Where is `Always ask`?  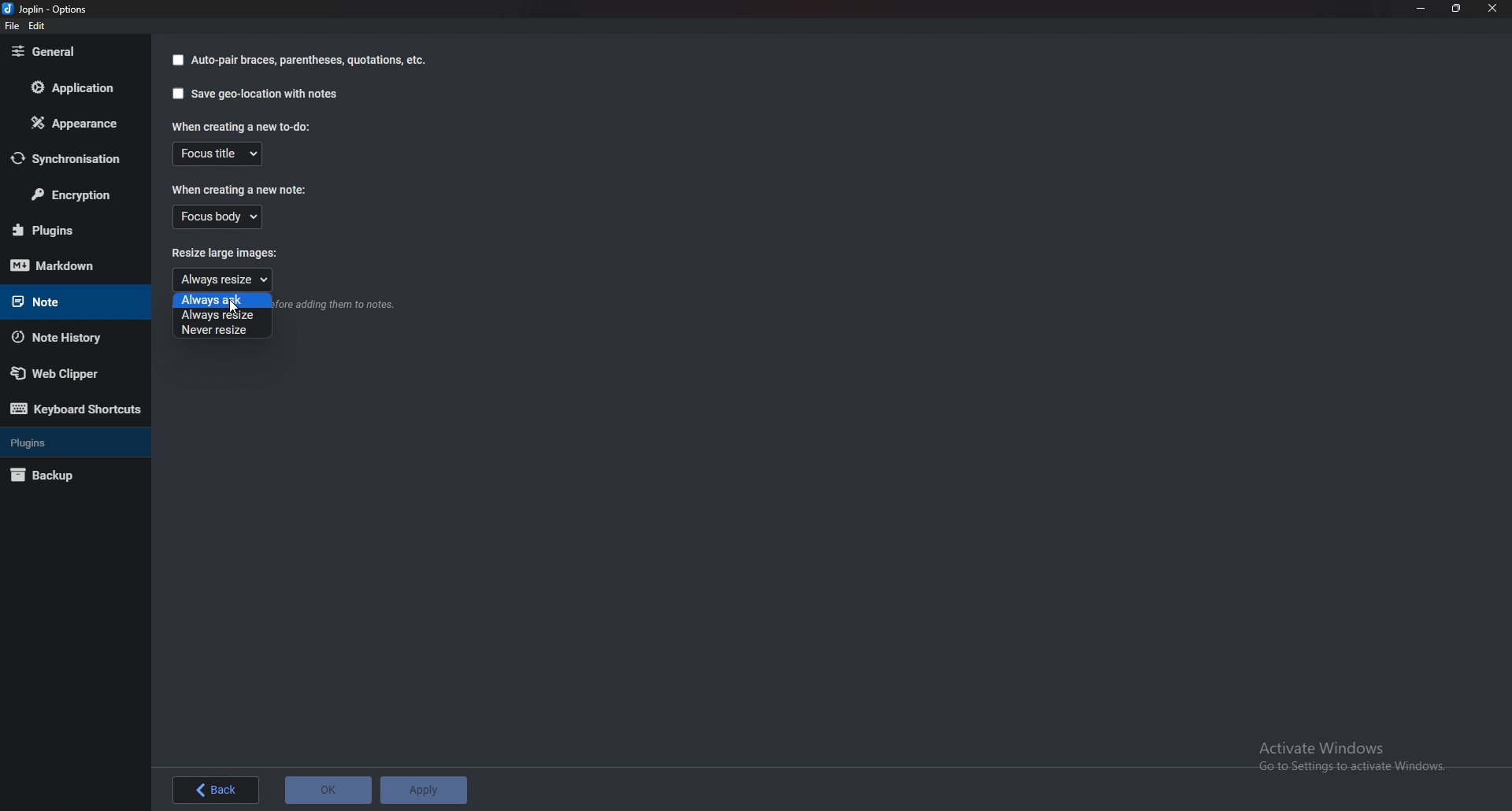
Always ask is located at coordinates (222, 301).